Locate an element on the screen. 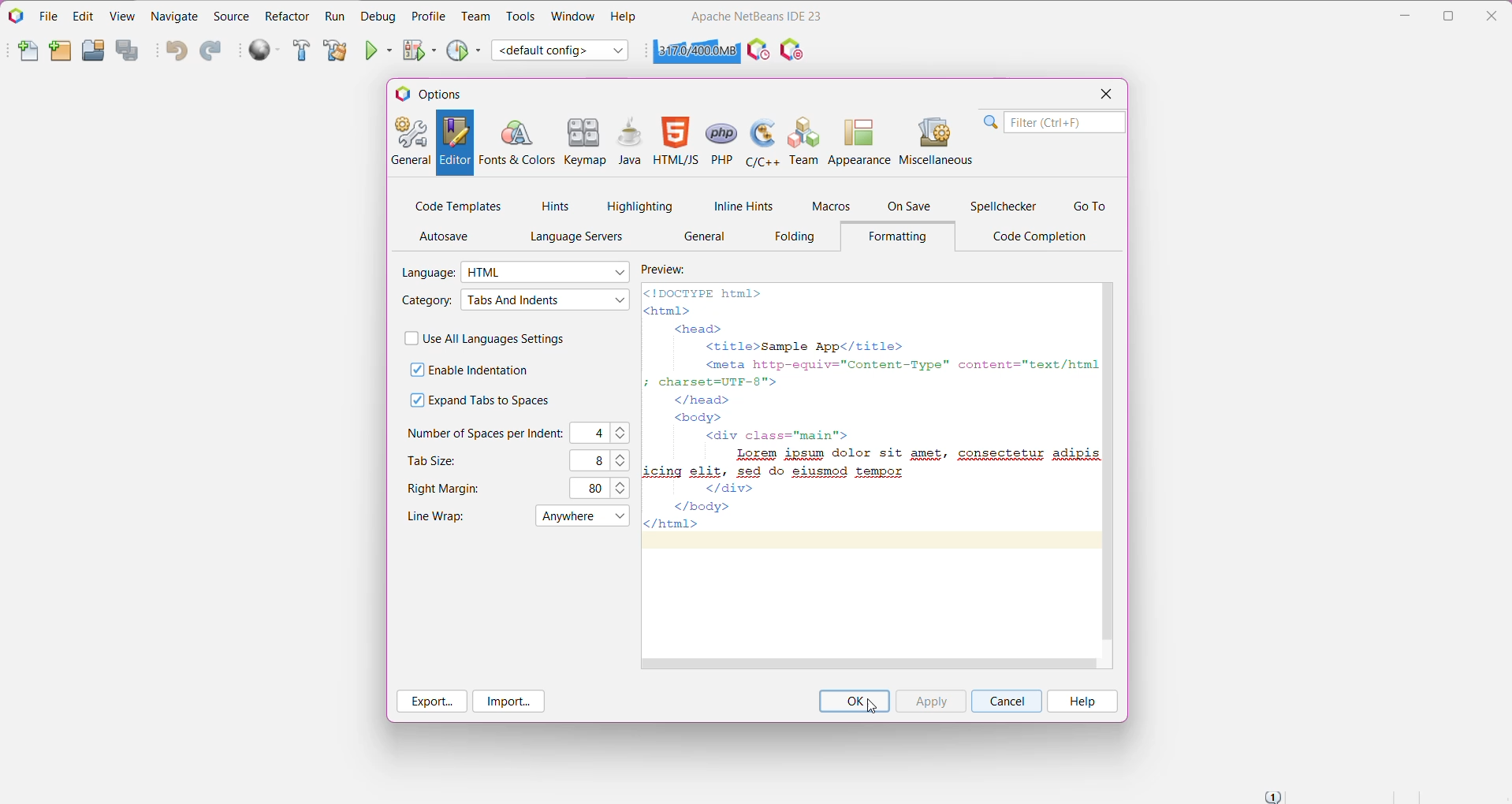 Image resolution: width=1512 pixels, height=804 pixels. icing elit, sed do eiusmod tempor is located at coordinates (782, 471).